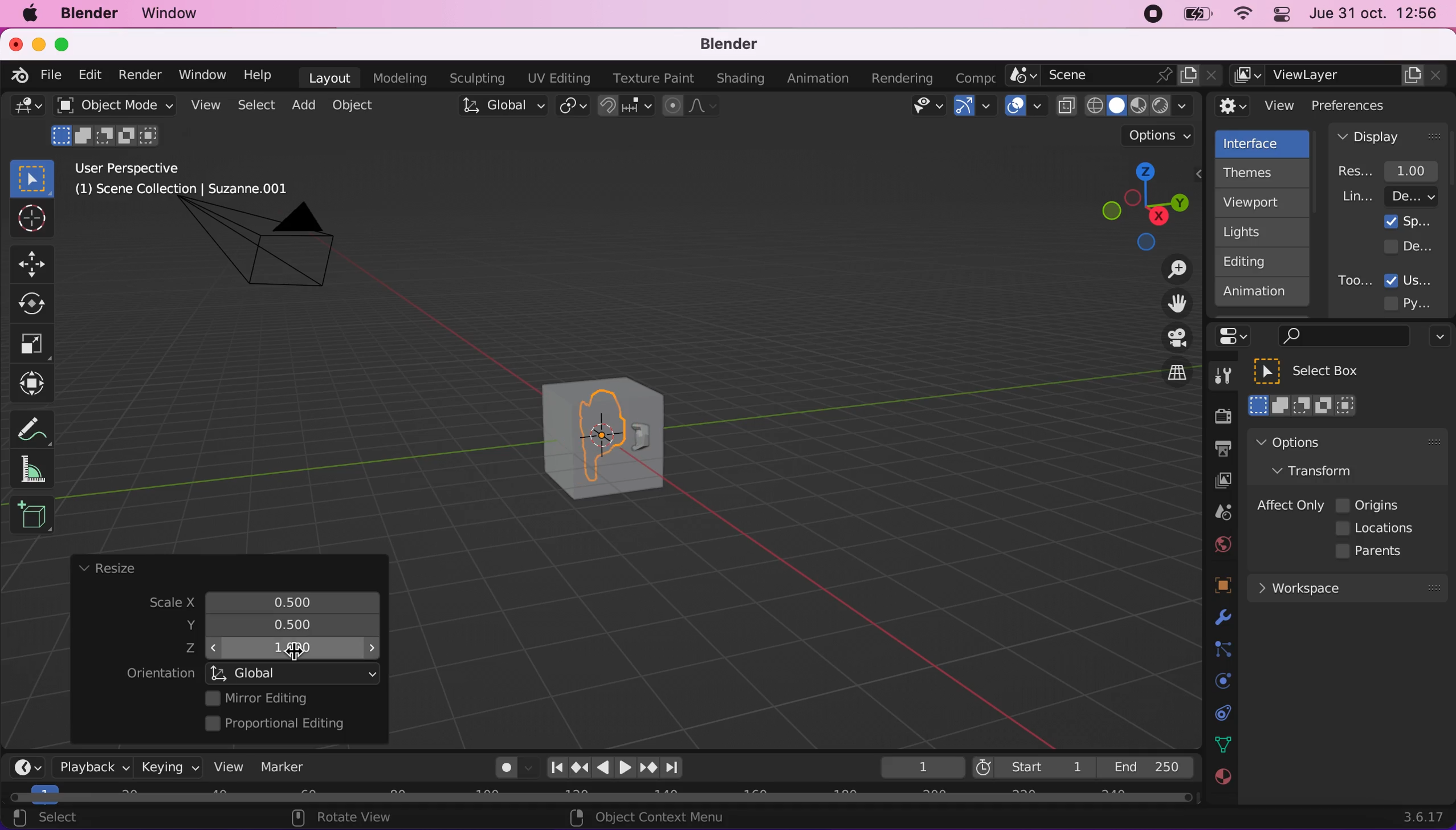  I want to click on resize, so click(107, 569).